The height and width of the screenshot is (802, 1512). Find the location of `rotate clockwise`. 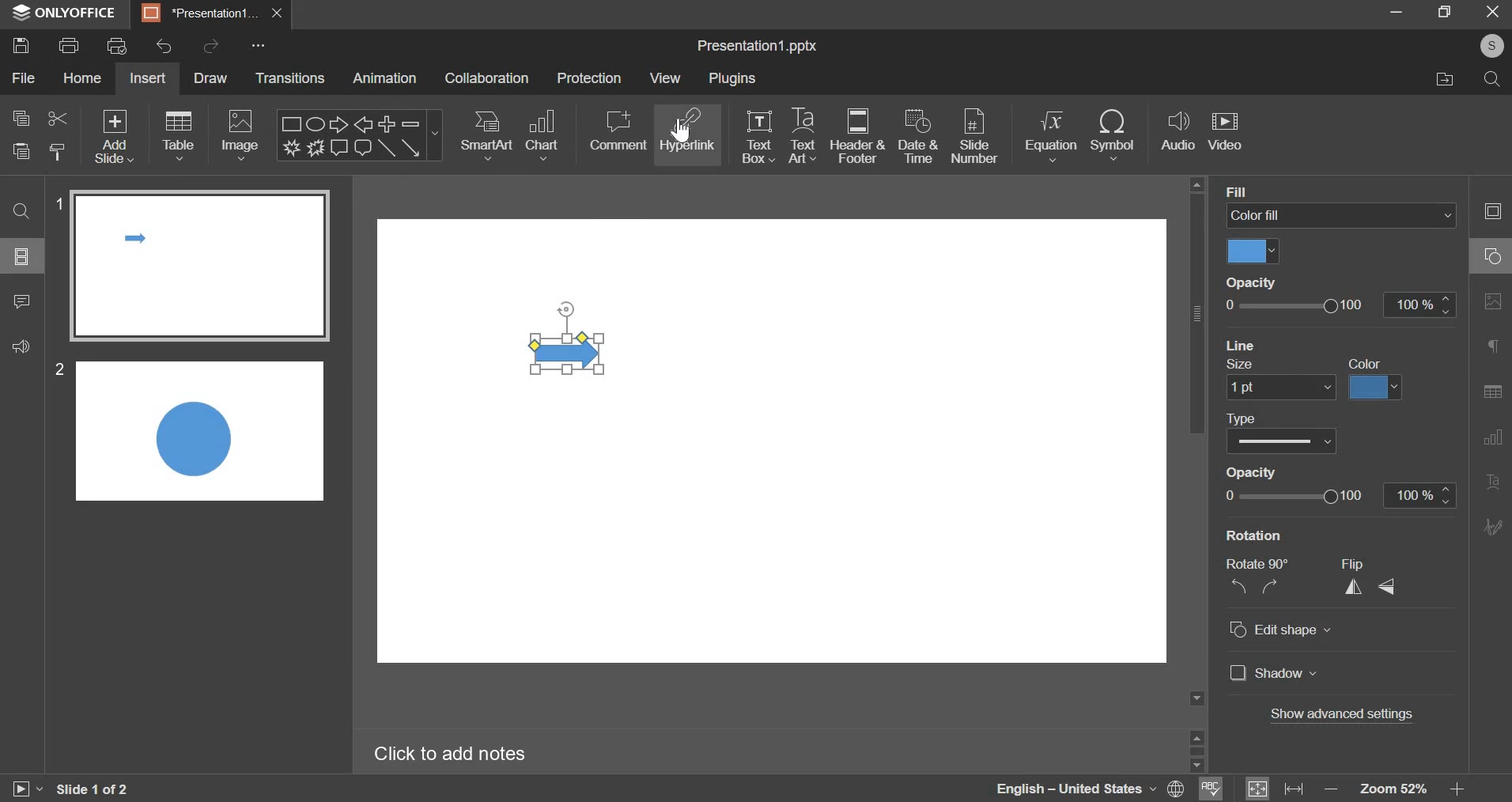

rotate clockwise is located at coordinates (1271, 588).